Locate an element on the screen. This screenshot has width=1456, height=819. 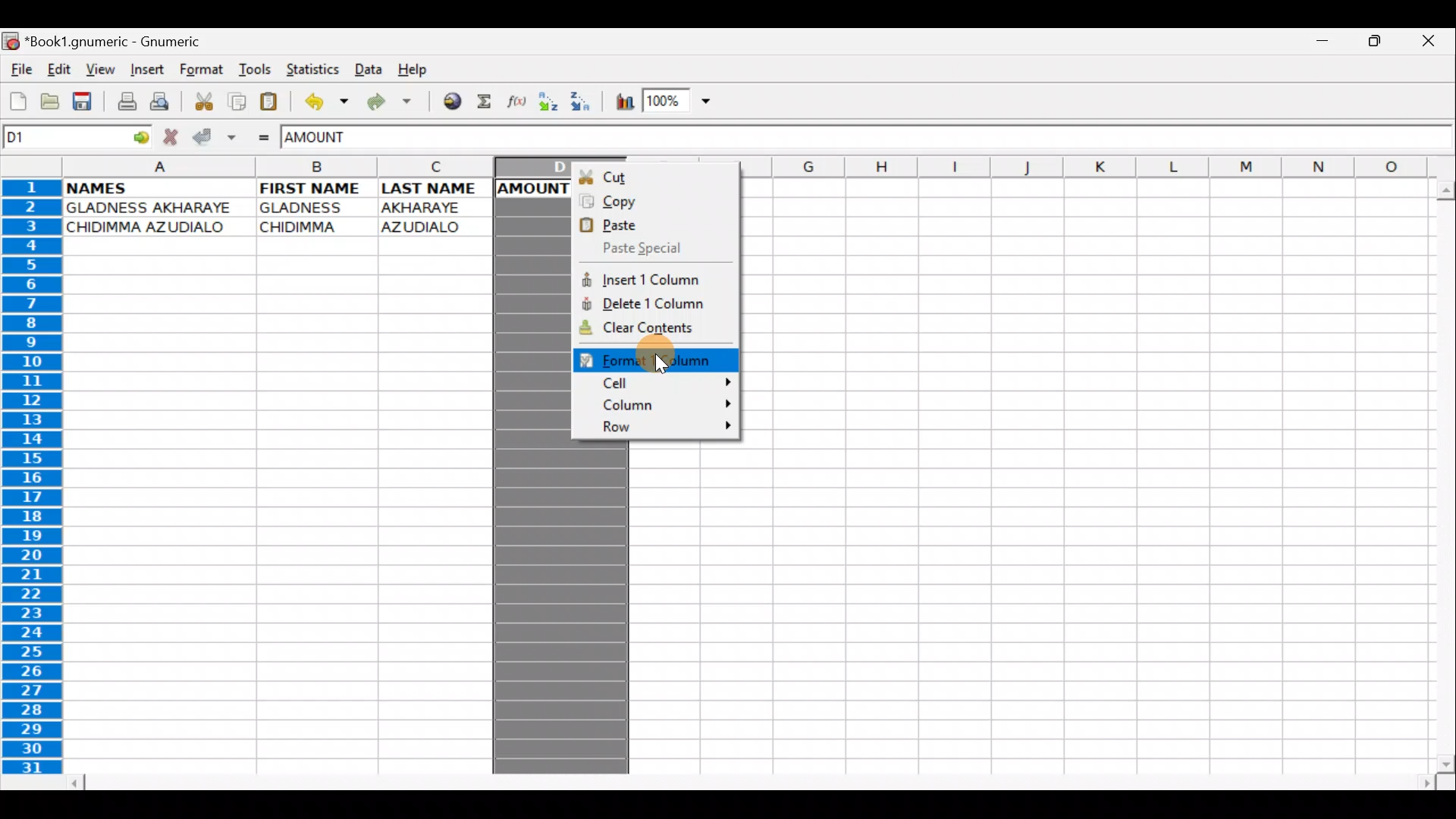
Sum in the current cell is located at coordinates (485, 102).